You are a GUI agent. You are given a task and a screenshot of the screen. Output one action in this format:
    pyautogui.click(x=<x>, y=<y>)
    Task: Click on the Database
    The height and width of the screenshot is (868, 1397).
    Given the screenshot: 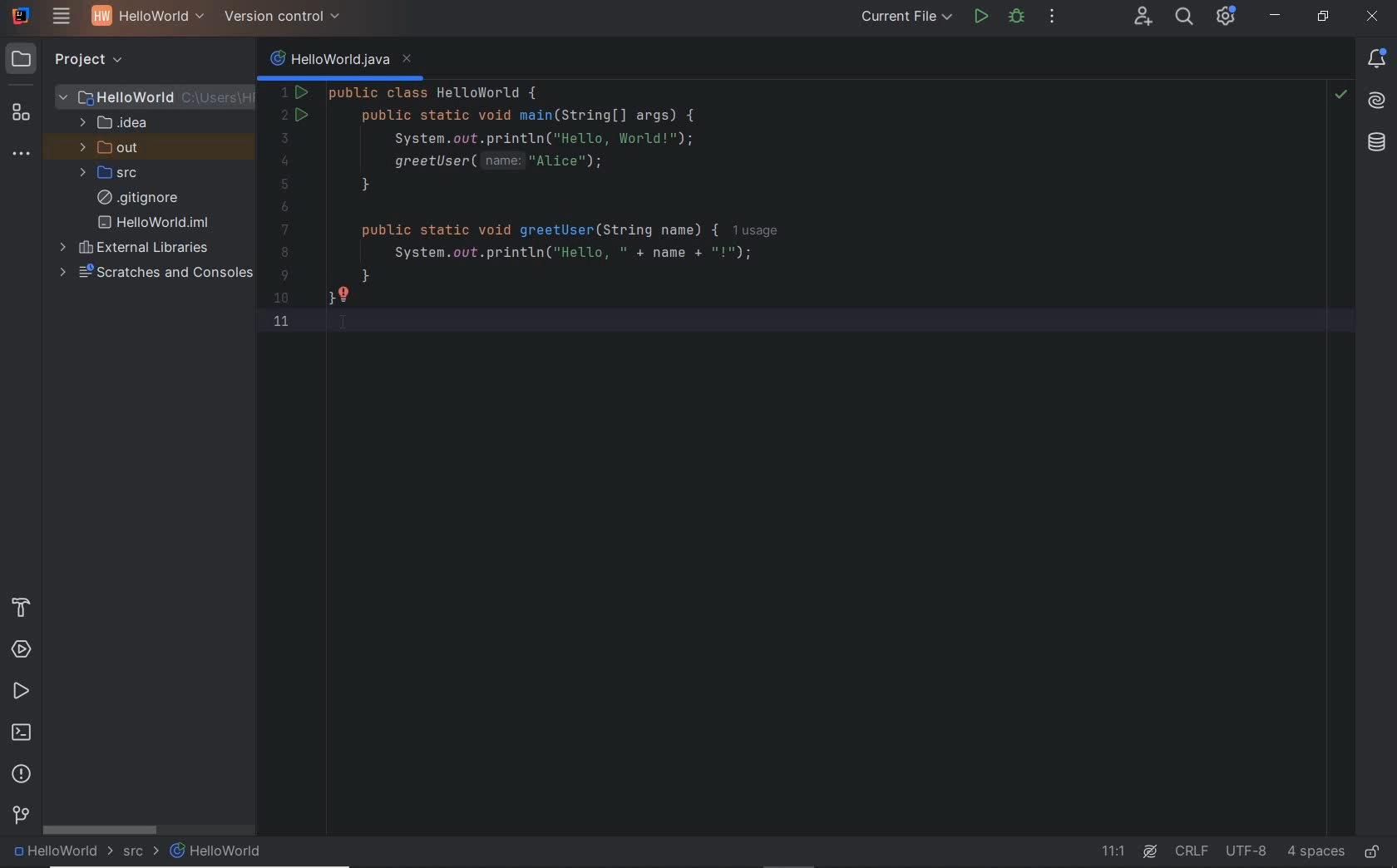 What is the action you would take?
    pyautogui.click(x=1375, y=141)
    